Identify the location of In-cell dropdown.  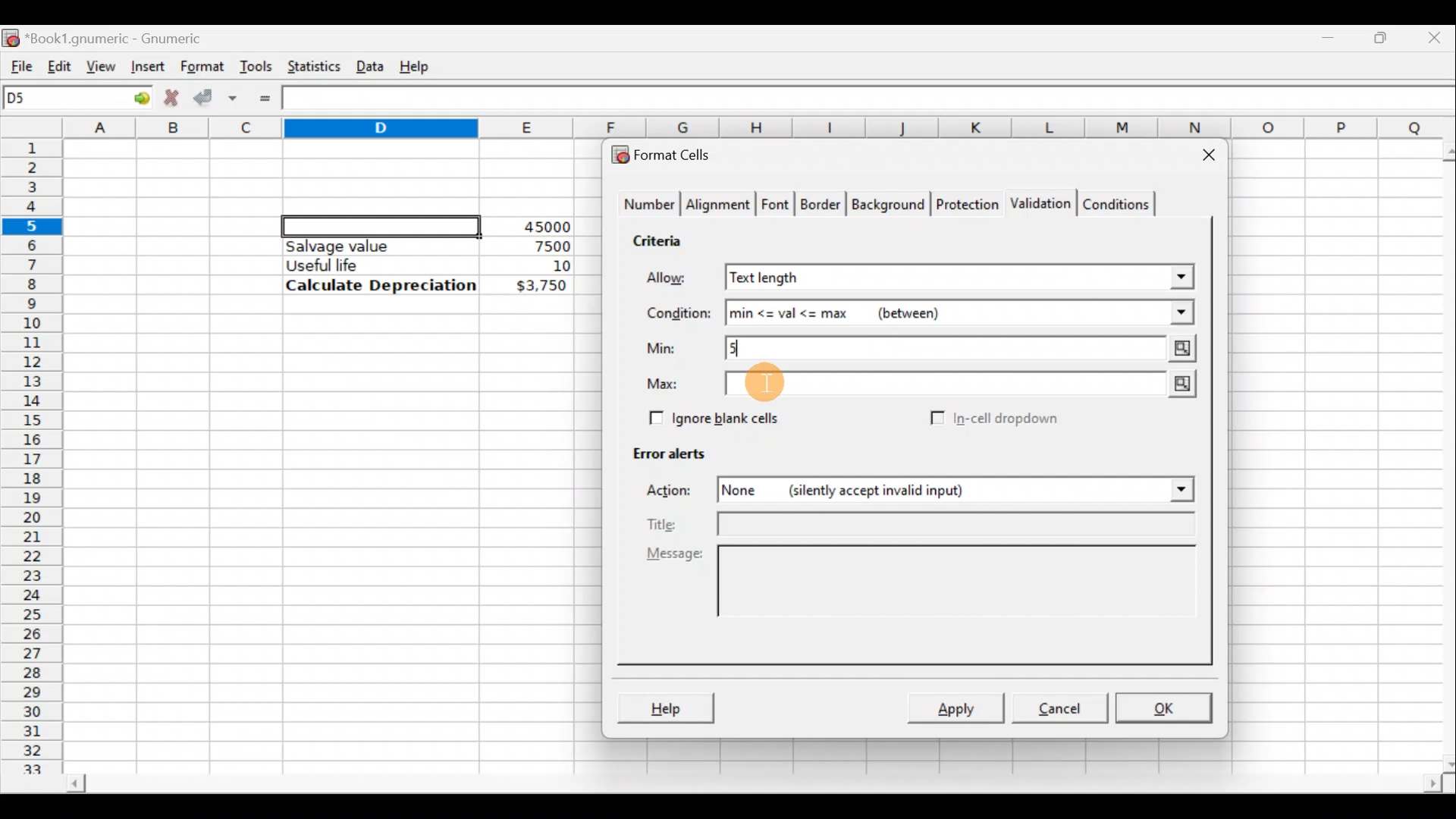
(1009, 419).